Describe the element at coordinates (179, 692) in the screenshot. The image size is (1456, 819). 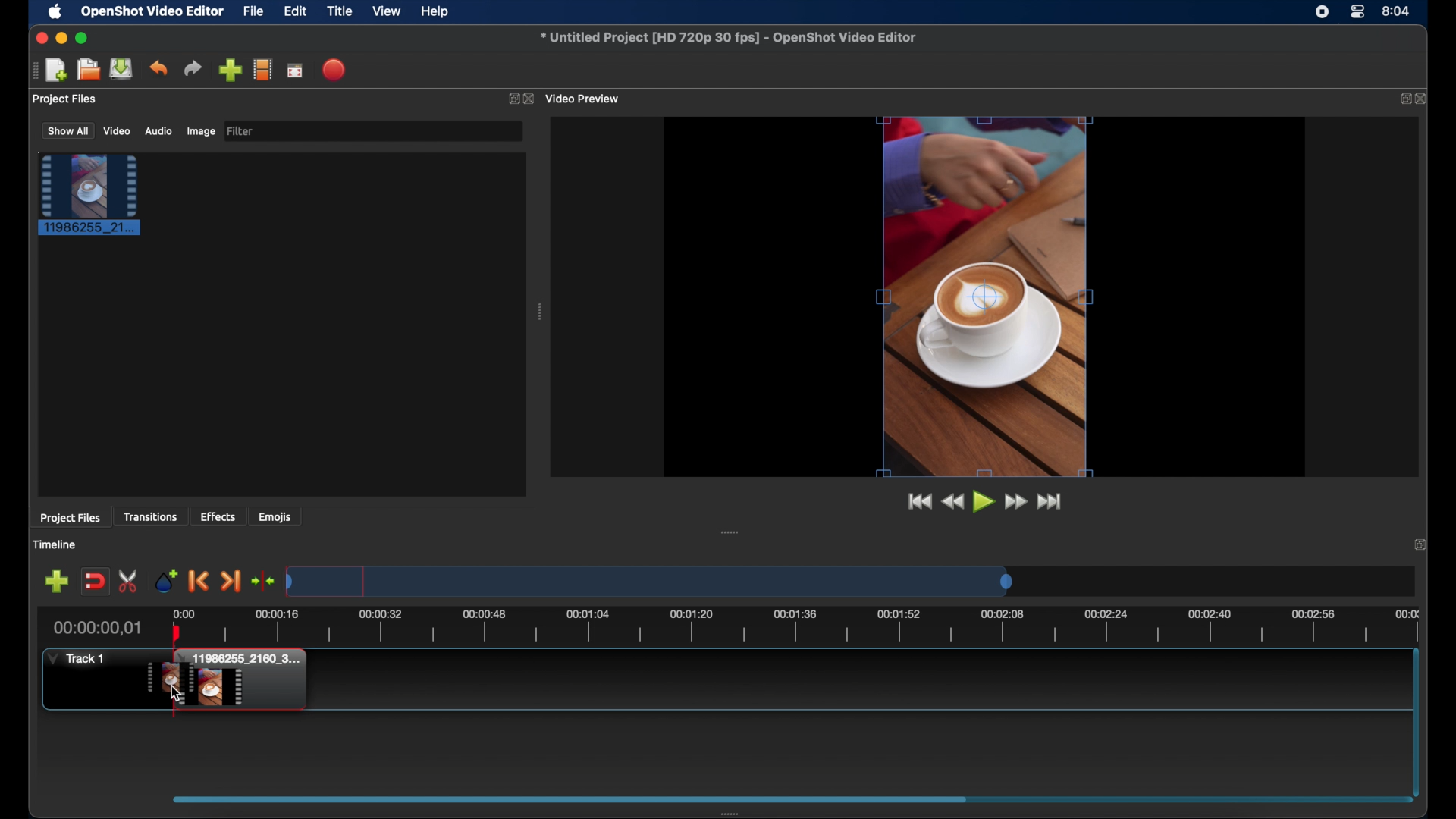
I see `cursor` at that location.